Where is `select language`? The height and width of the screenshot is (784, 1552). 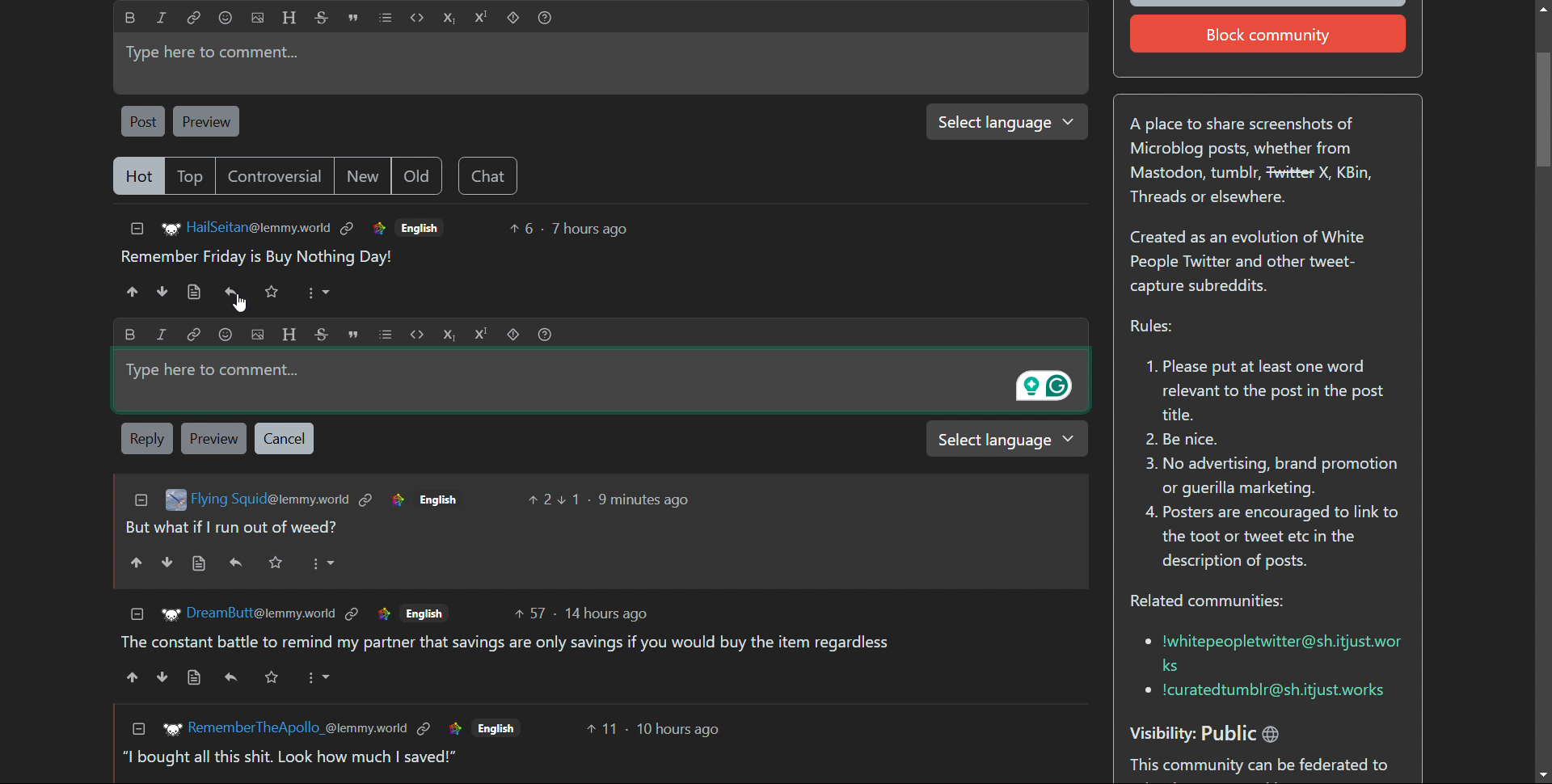
select language is located at coordinates (1001, 121).